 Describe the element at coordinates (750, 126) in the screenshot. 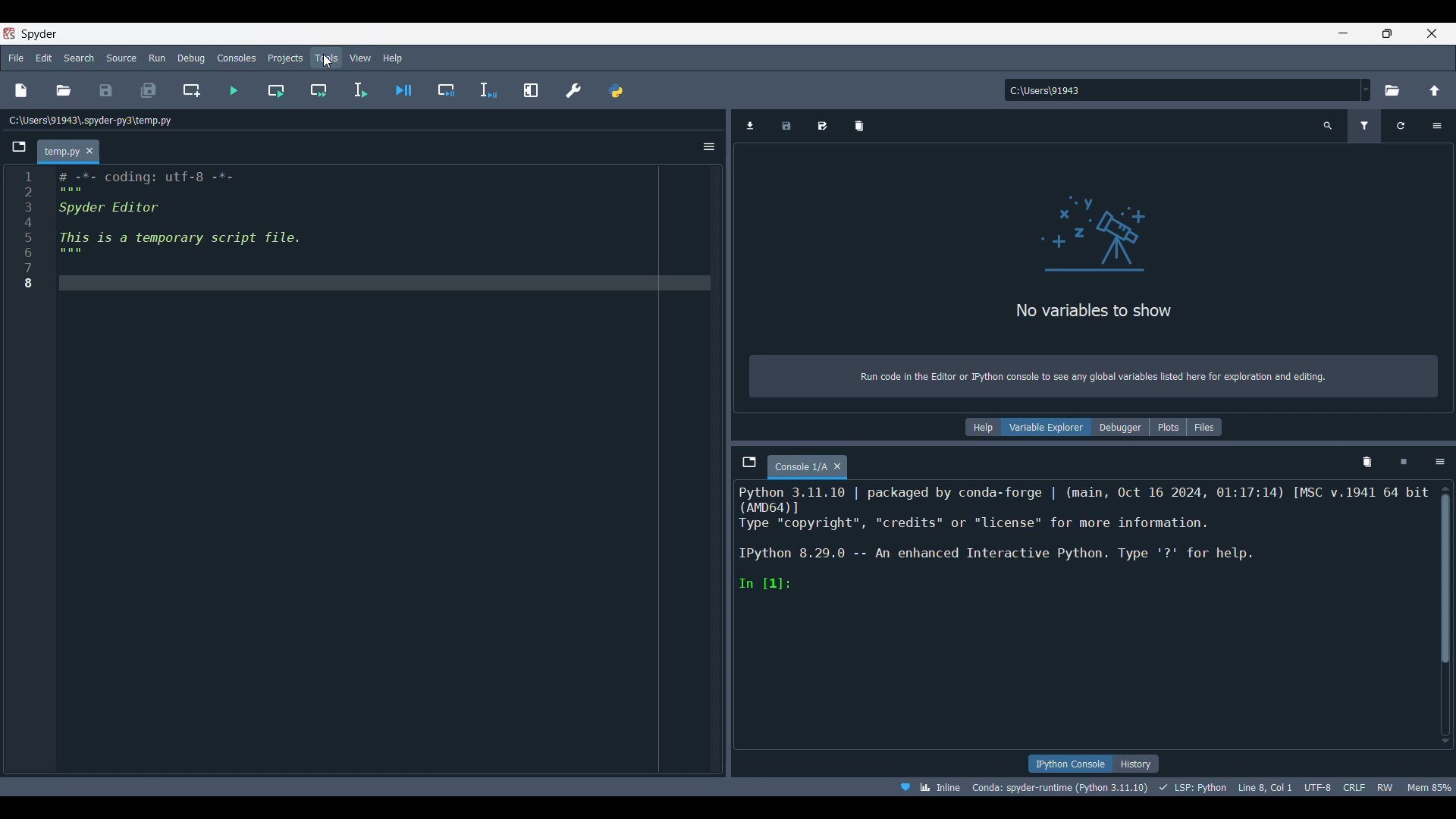

I see `Import data` at that location.